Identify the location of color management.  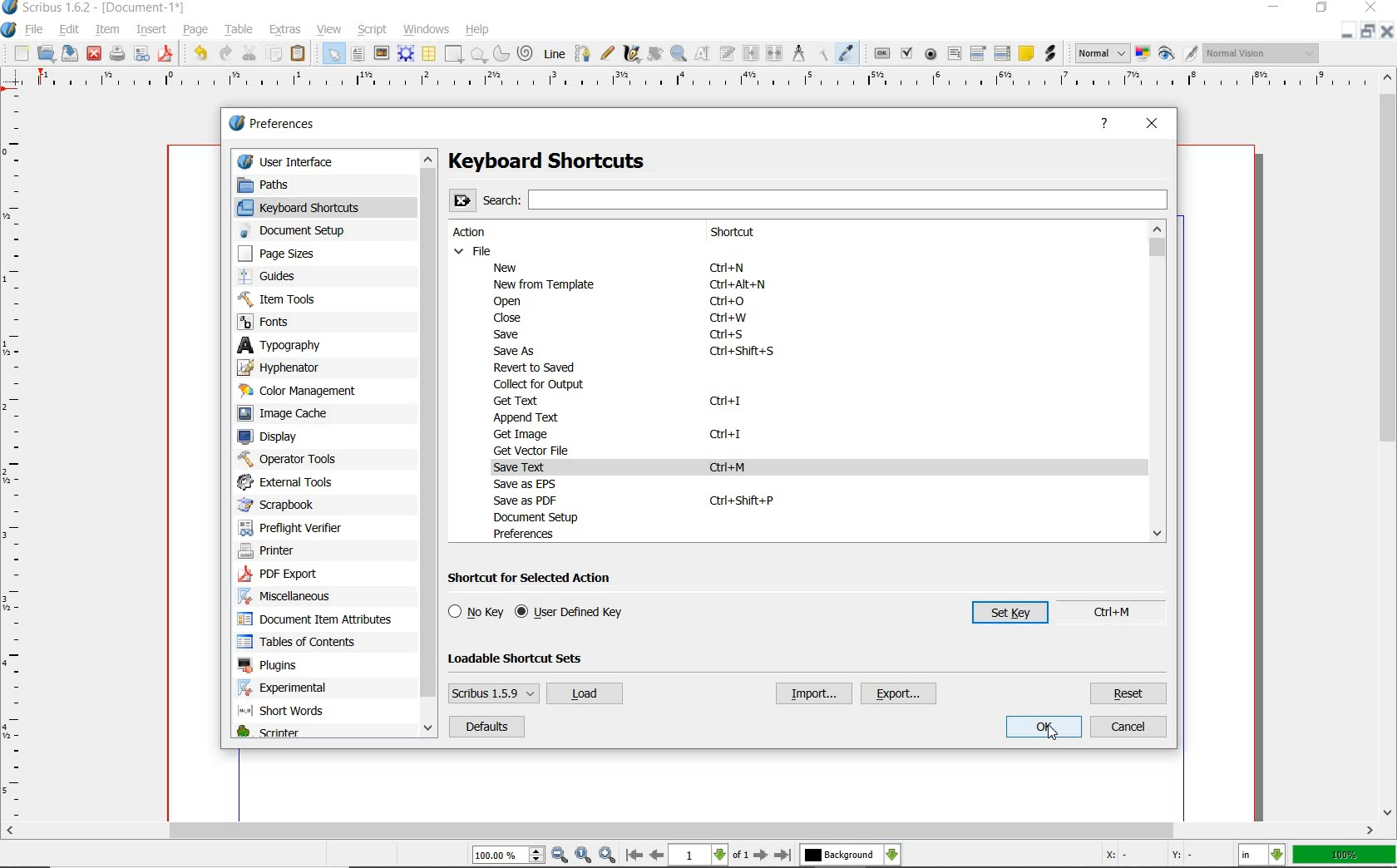
(304, 391).